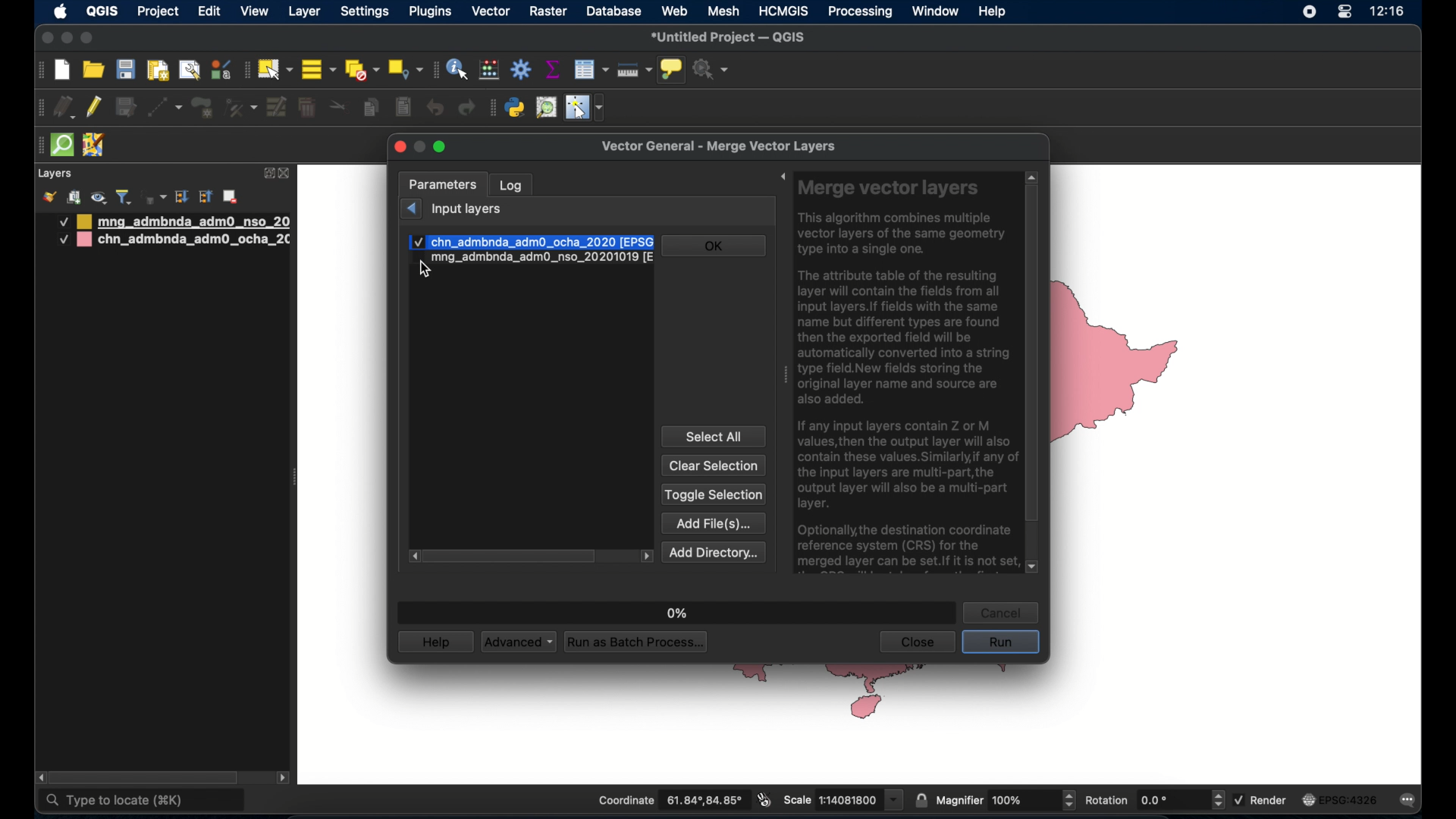 This screenshot has width=1456, height=819. I want to click on china administrative boundary layer 2, so click(174, 241).